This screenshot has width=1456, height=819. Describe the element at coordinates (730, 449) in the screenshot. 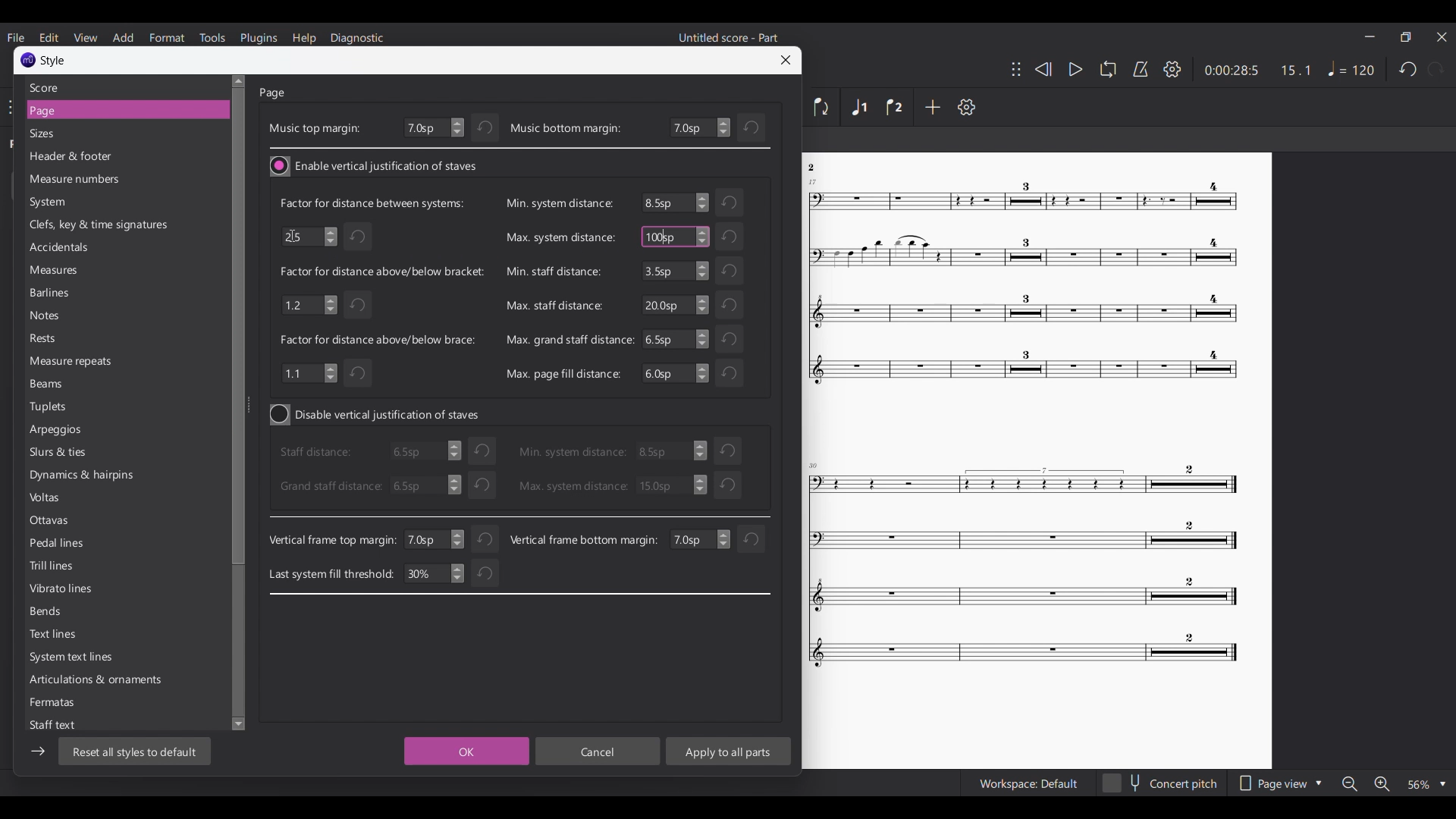

I see `reset` at that location.